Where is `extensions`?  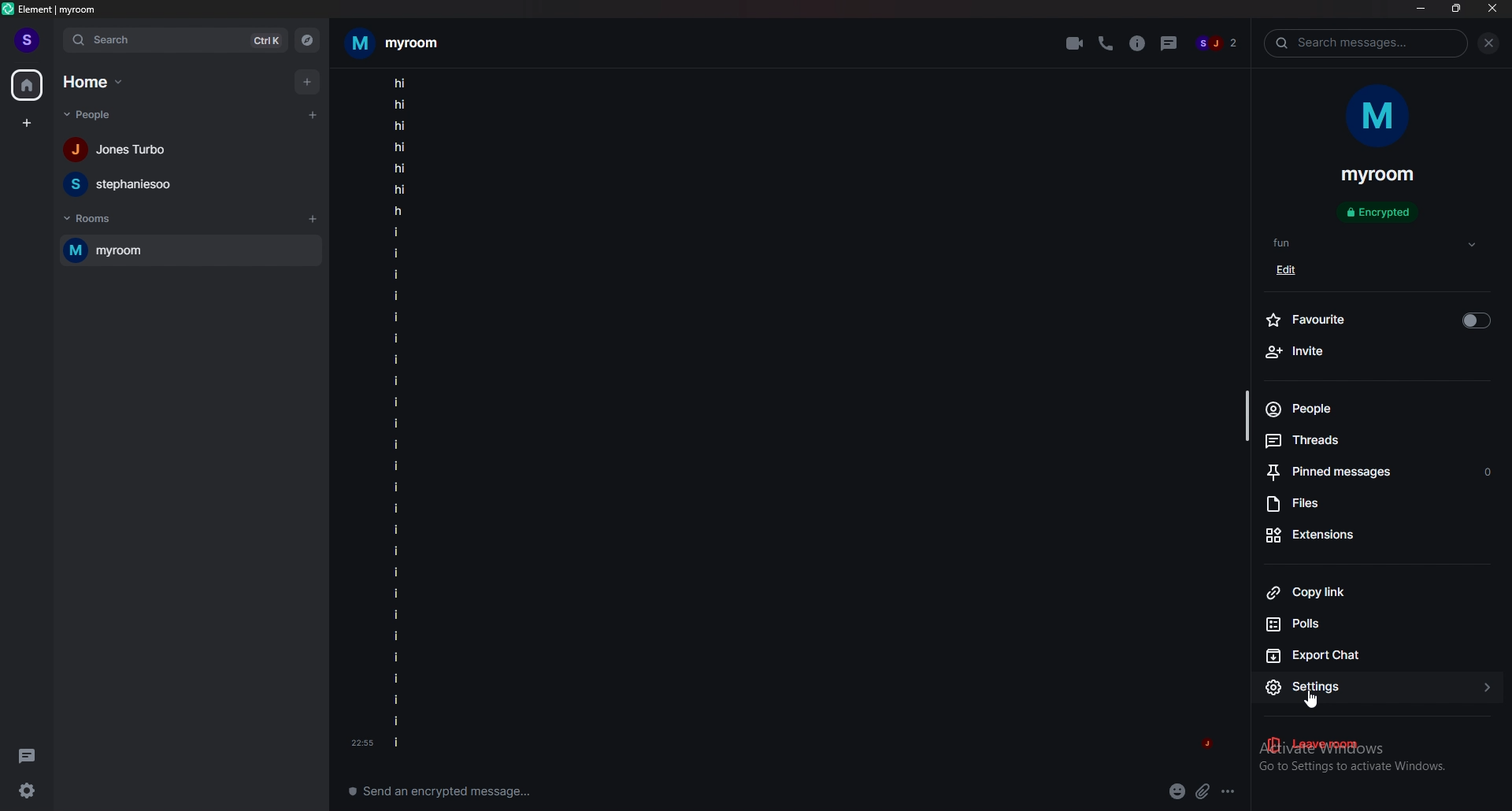
extensions is located at coordinates (1375, 535).